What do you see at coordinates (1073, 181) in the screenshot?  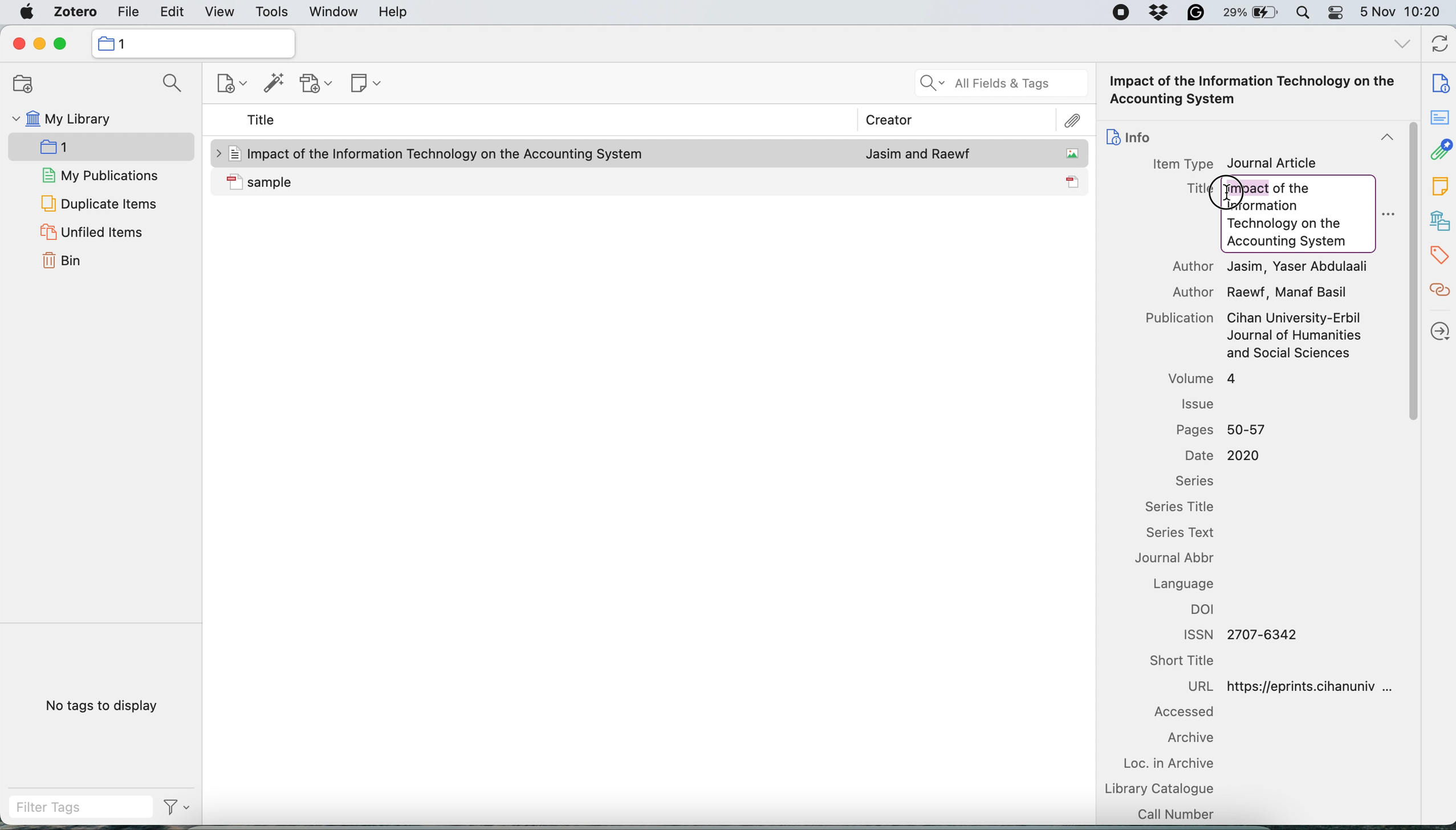 I see `icon` at bounding box center [1073, 181].